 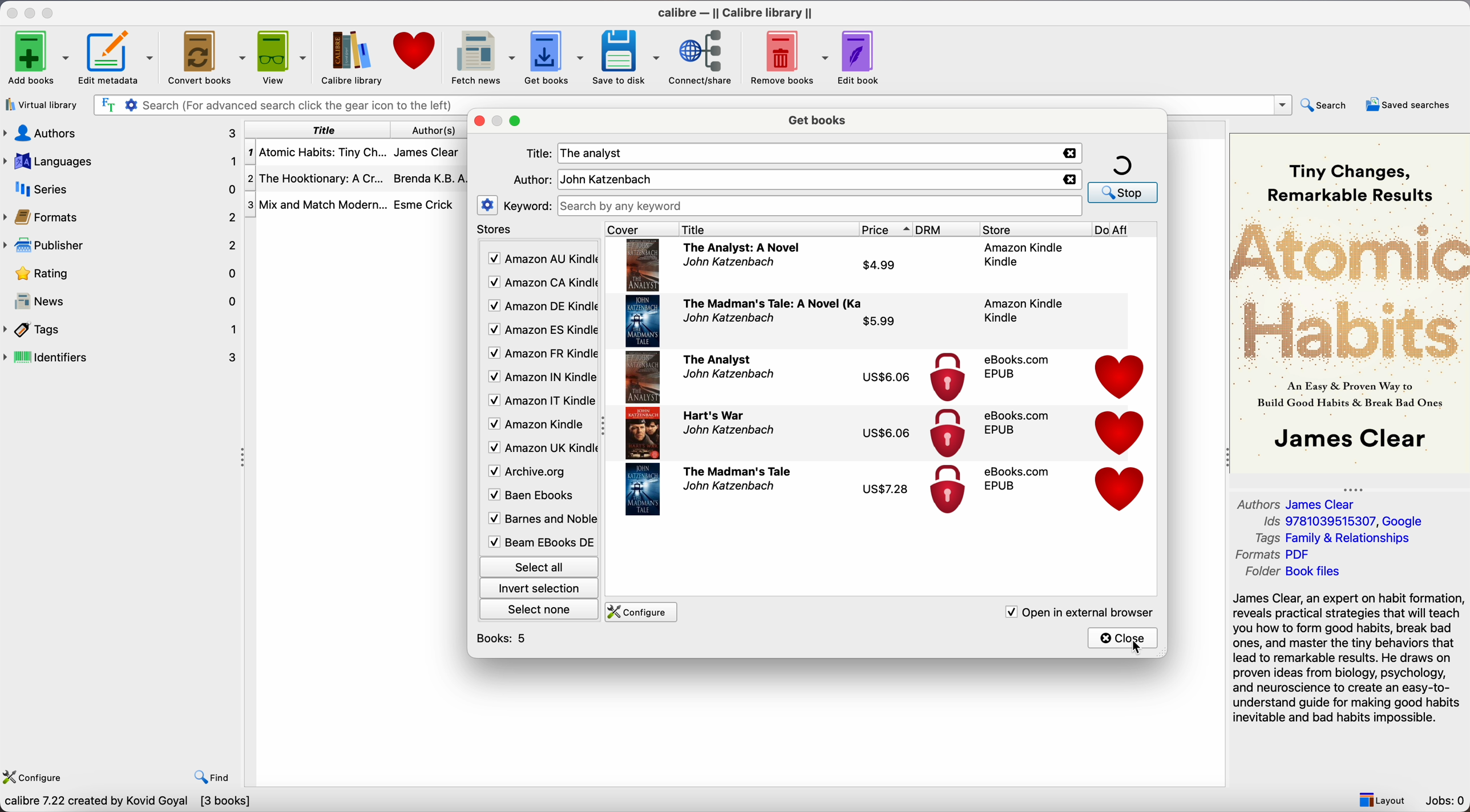 What do you see at coordinates (1324, 105) in the screenshot?
I see `search` at bounding box center [1324, 105].